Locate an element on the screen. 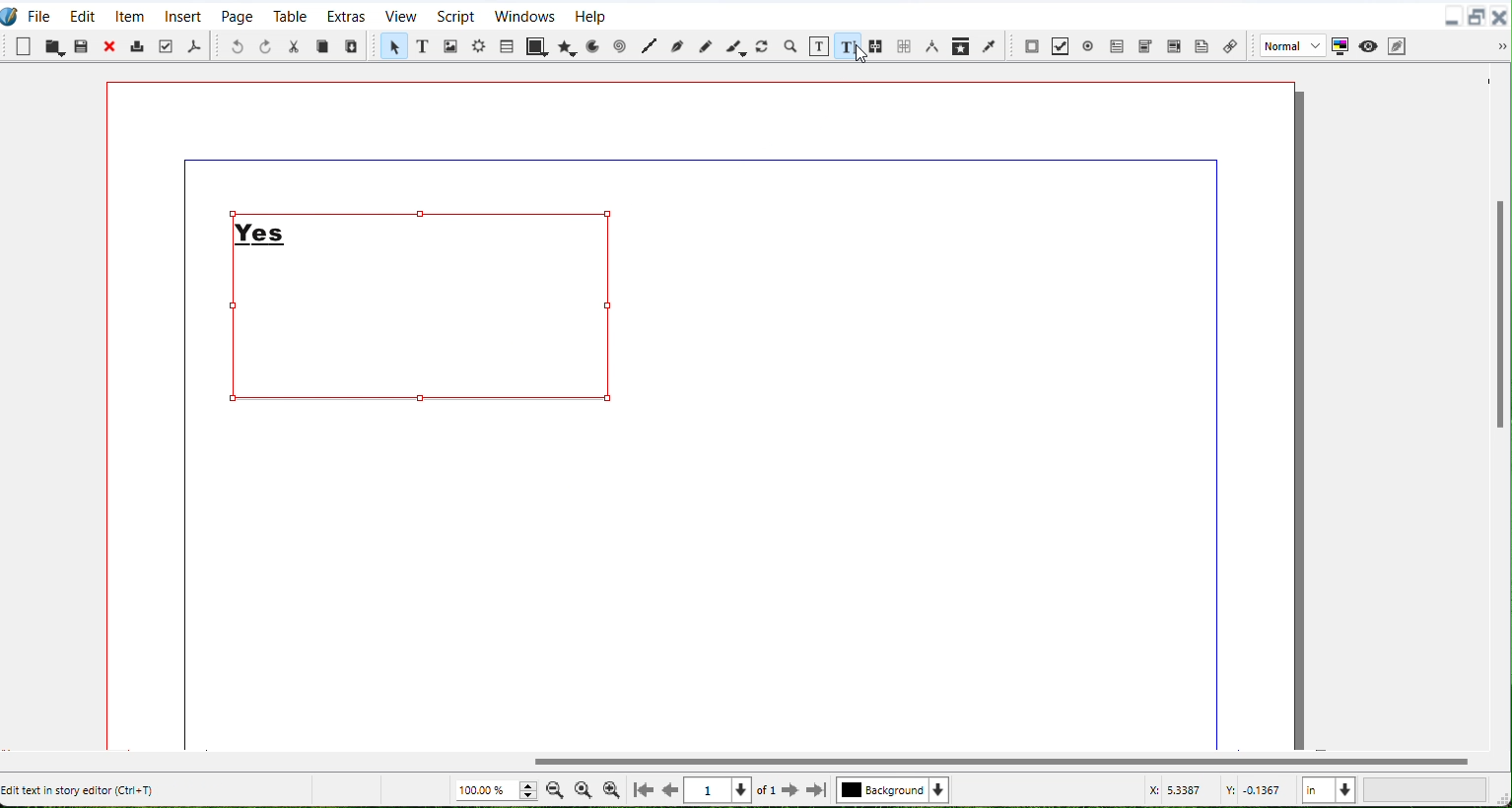  Zoom In is located at coordinates (611, 789).